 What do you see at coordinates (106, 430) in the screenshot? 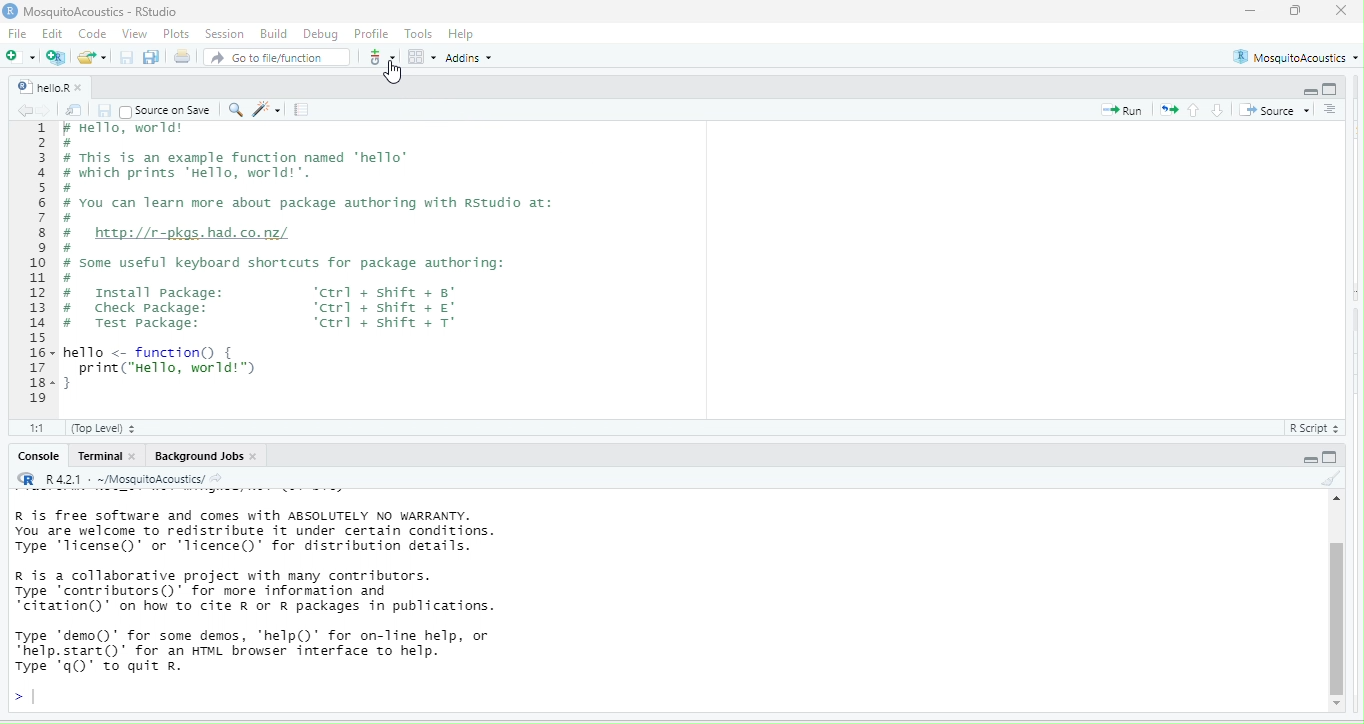
I see `(Top Level) ` at bounding box center [106, 430].